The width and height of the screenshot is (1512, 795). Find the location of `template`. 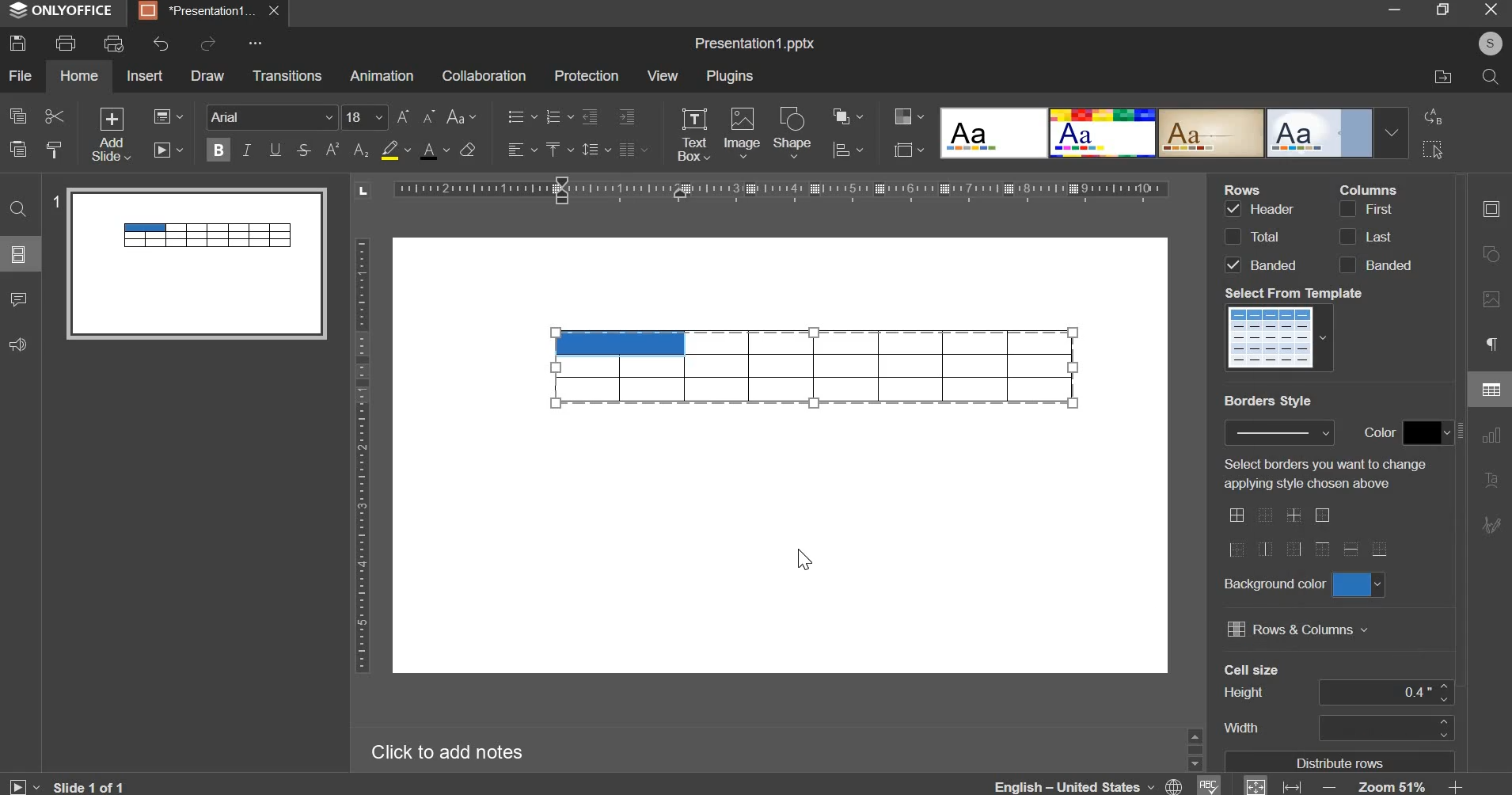

template is located at coordinates (1282, 337).